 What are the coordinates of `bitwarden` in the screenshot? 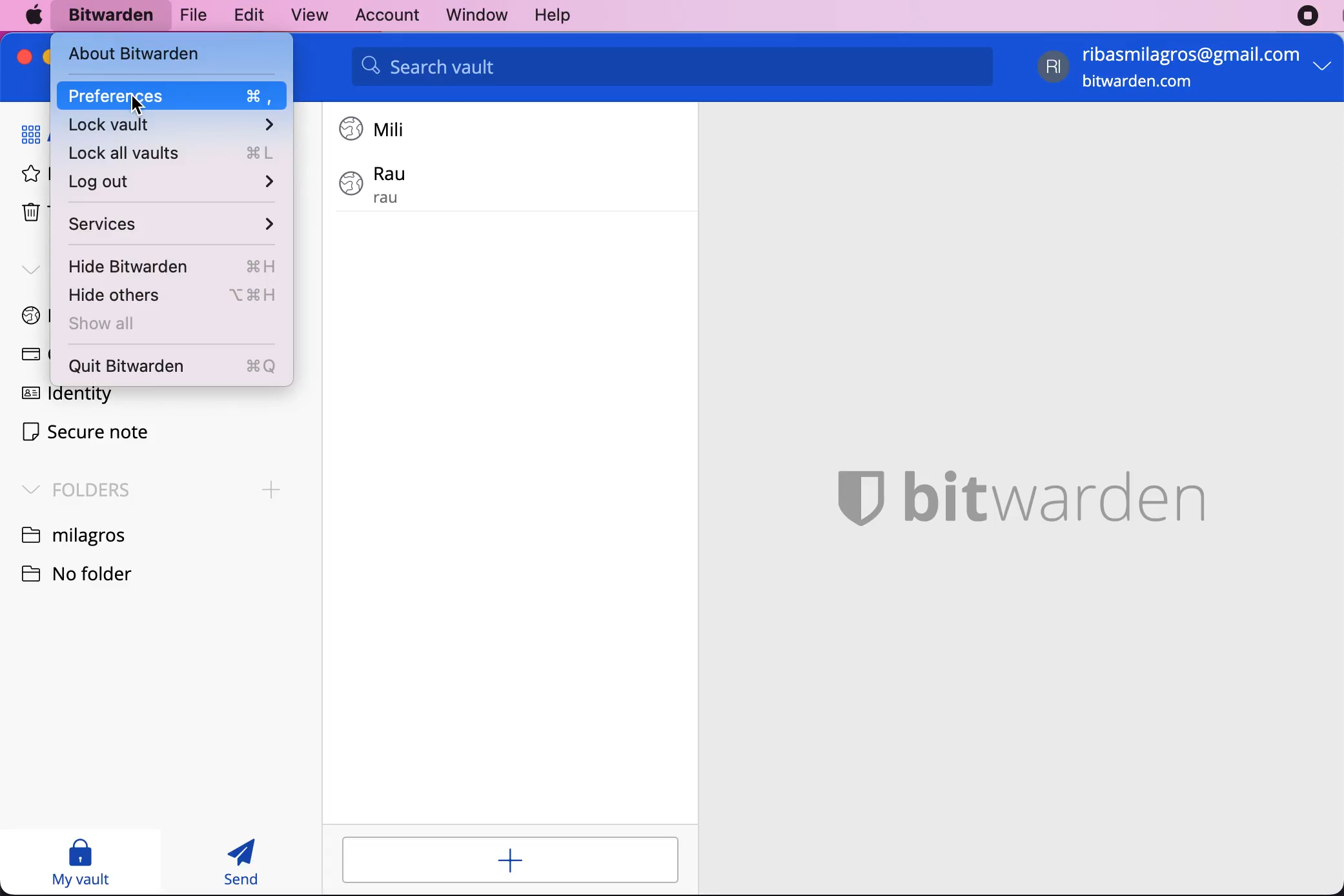 It's located at (108, 16).